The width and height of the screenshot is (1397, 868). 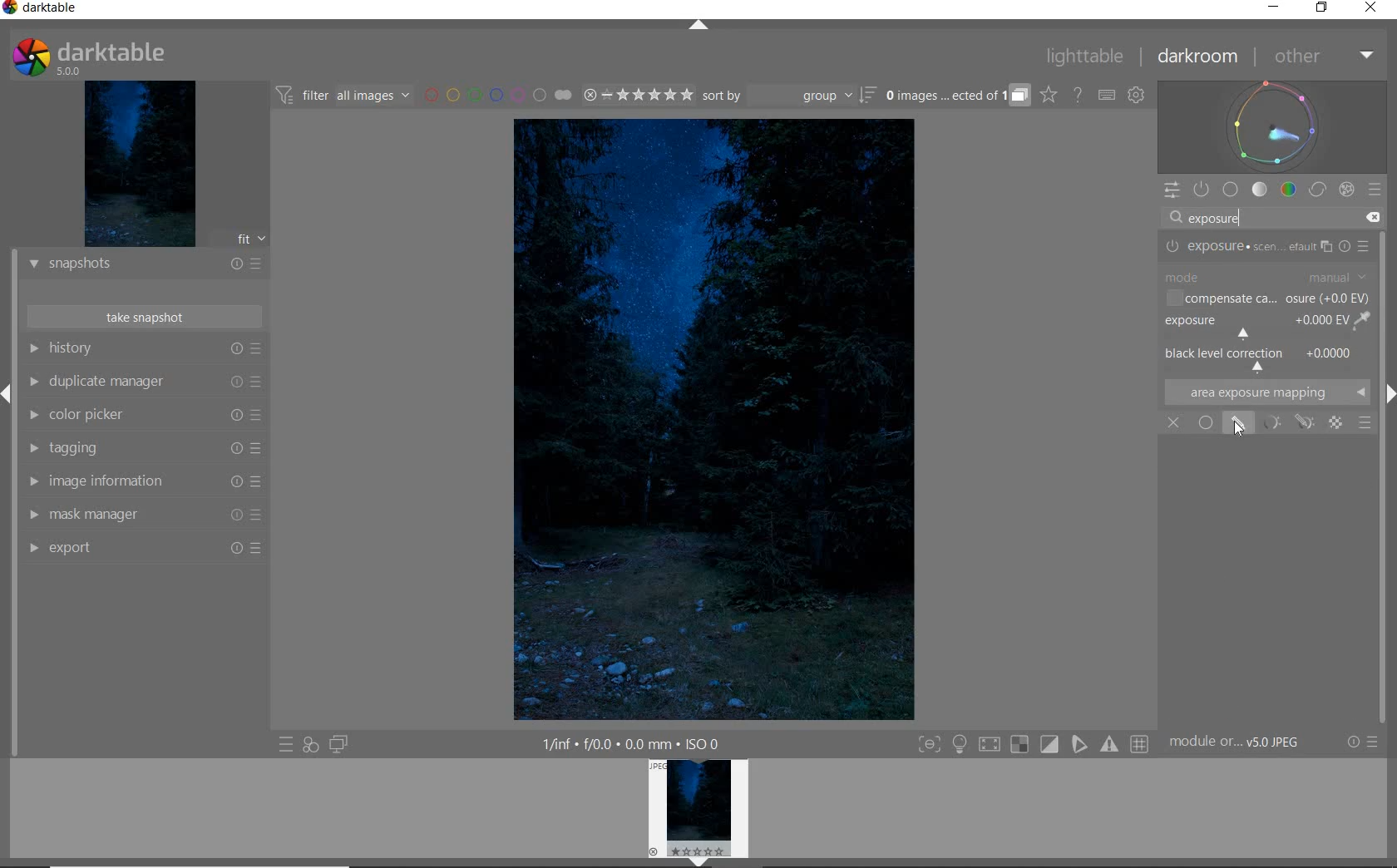 I want to click on 1/inf*f/0.0 mm*ISO 0, so click(x=627, y=742).